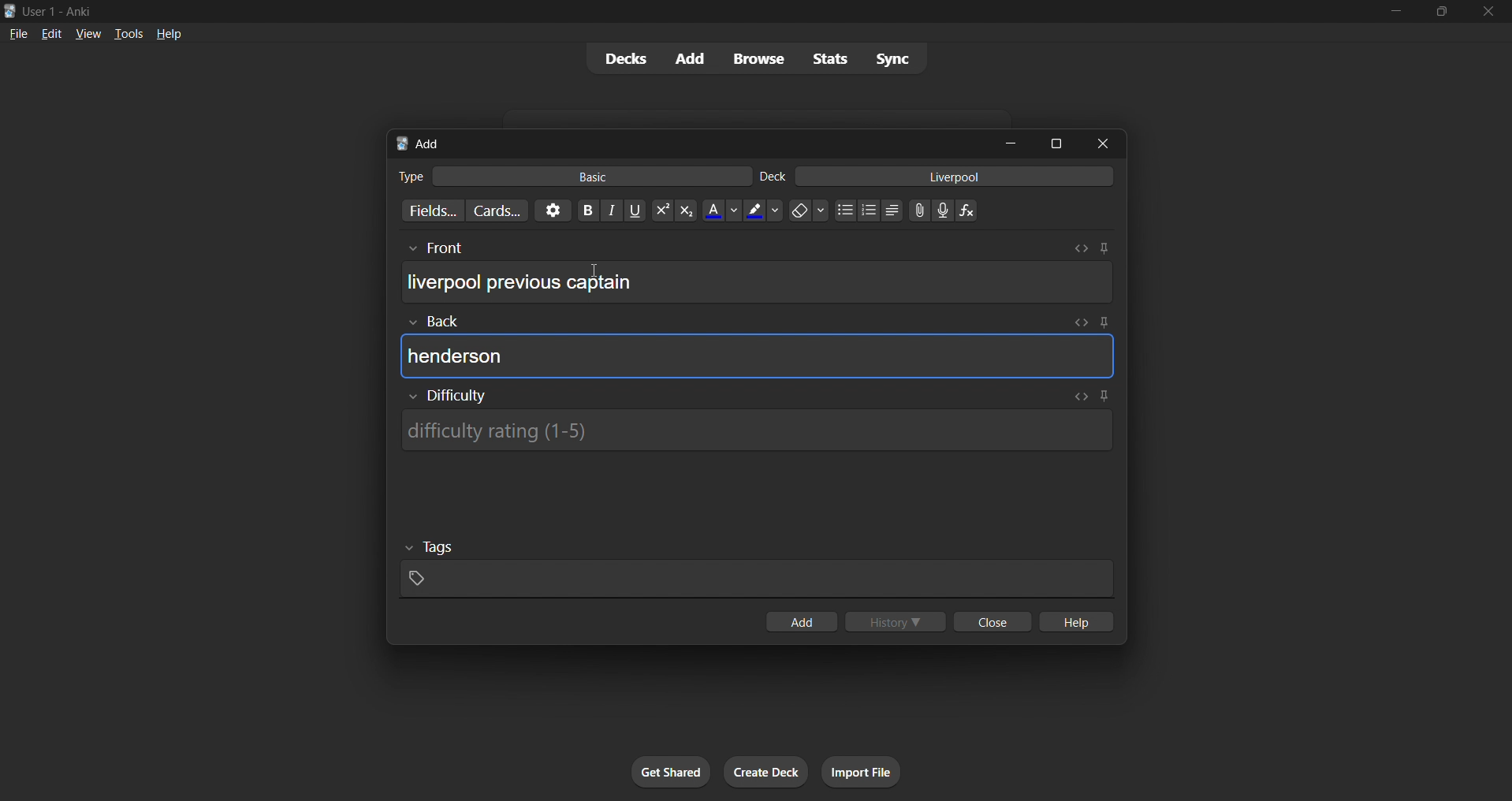  Describe the element at coordinates (1442, 12) in the screenshot. I see `maximize/restore` at that location.